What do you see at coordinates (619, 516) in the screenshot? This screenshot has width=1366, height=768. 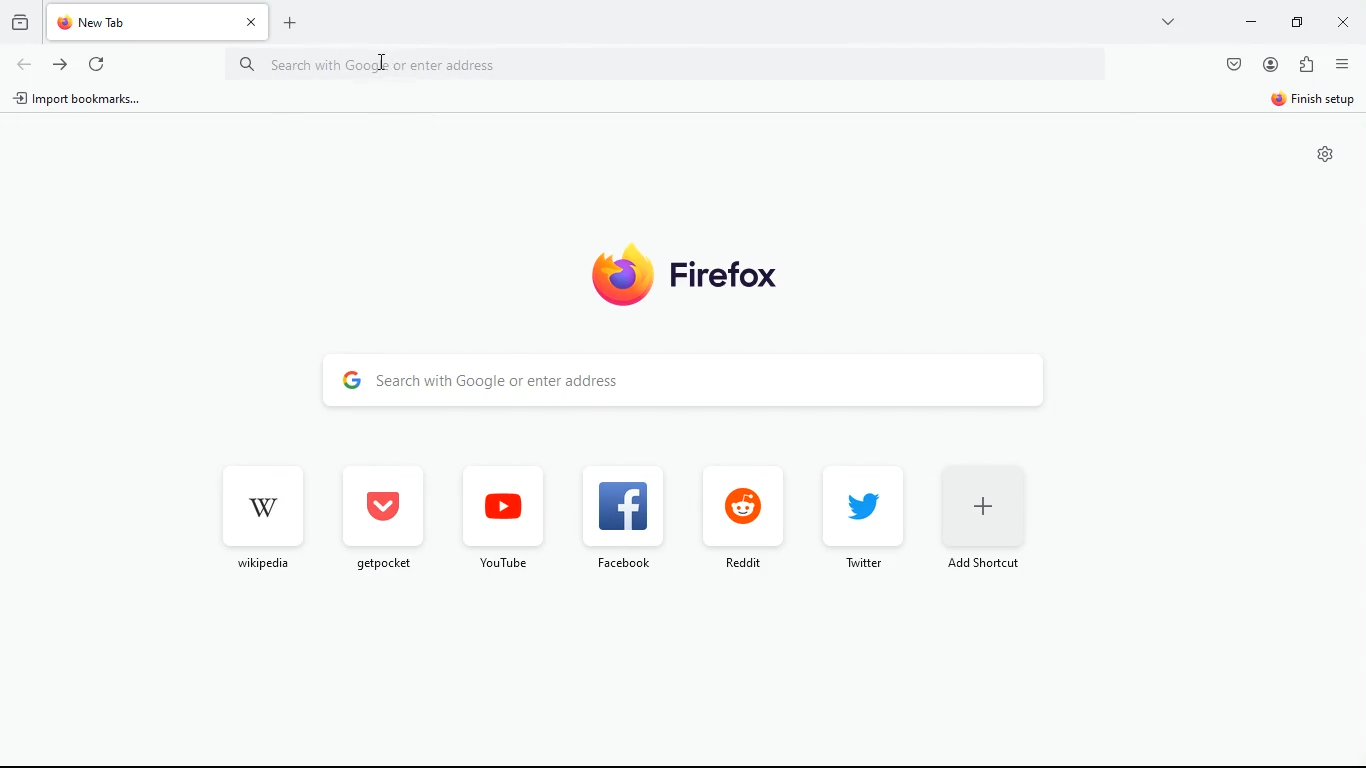 I see `facebook` at bounding box center [619, 516].